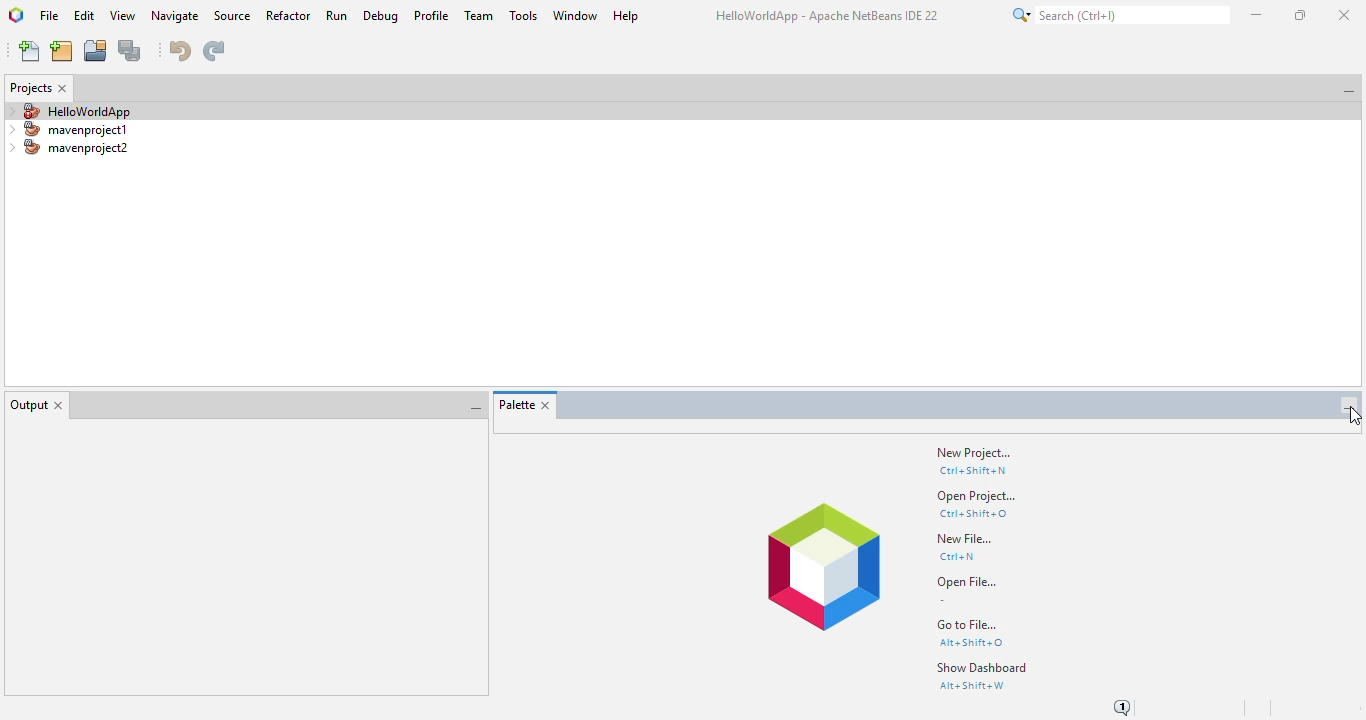 This screenshot has height=720, width=1366. I want to click on team, so click(481, 15).